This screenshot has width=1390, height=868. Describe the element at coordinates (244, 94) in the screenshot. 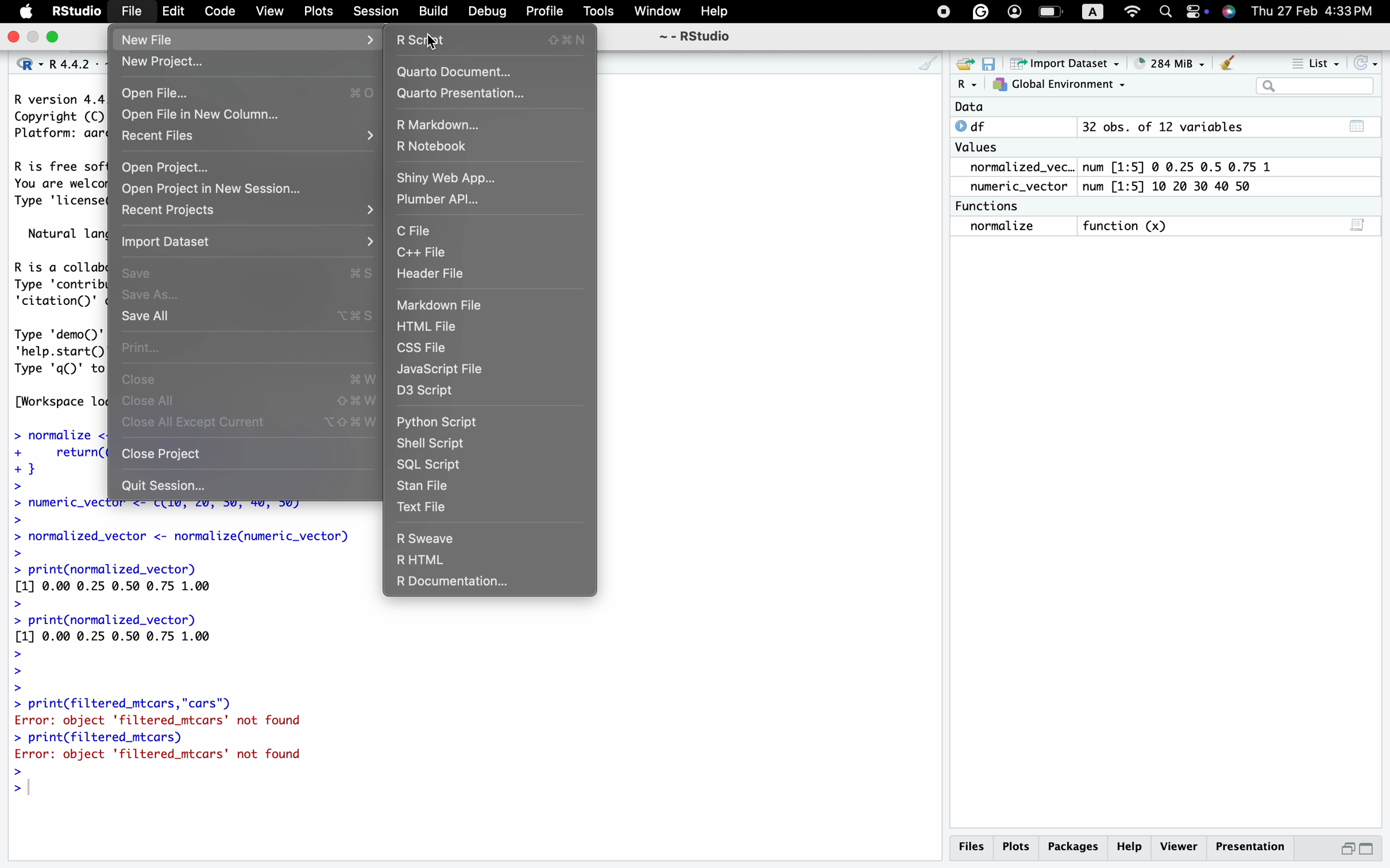

I see `OPen File...` at that location.